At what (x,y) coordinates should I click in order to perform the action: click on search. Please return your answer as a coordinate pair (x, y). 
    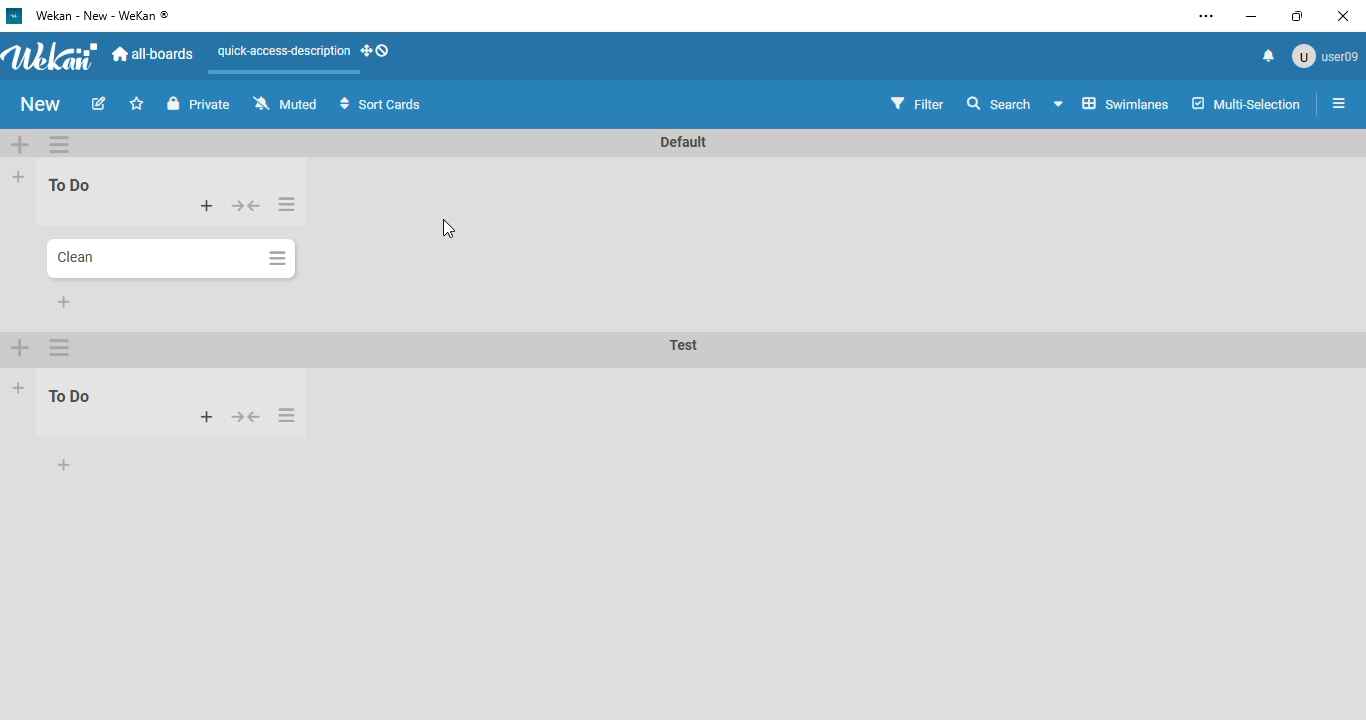
    Looking at the image, I should click on (1000, 103).